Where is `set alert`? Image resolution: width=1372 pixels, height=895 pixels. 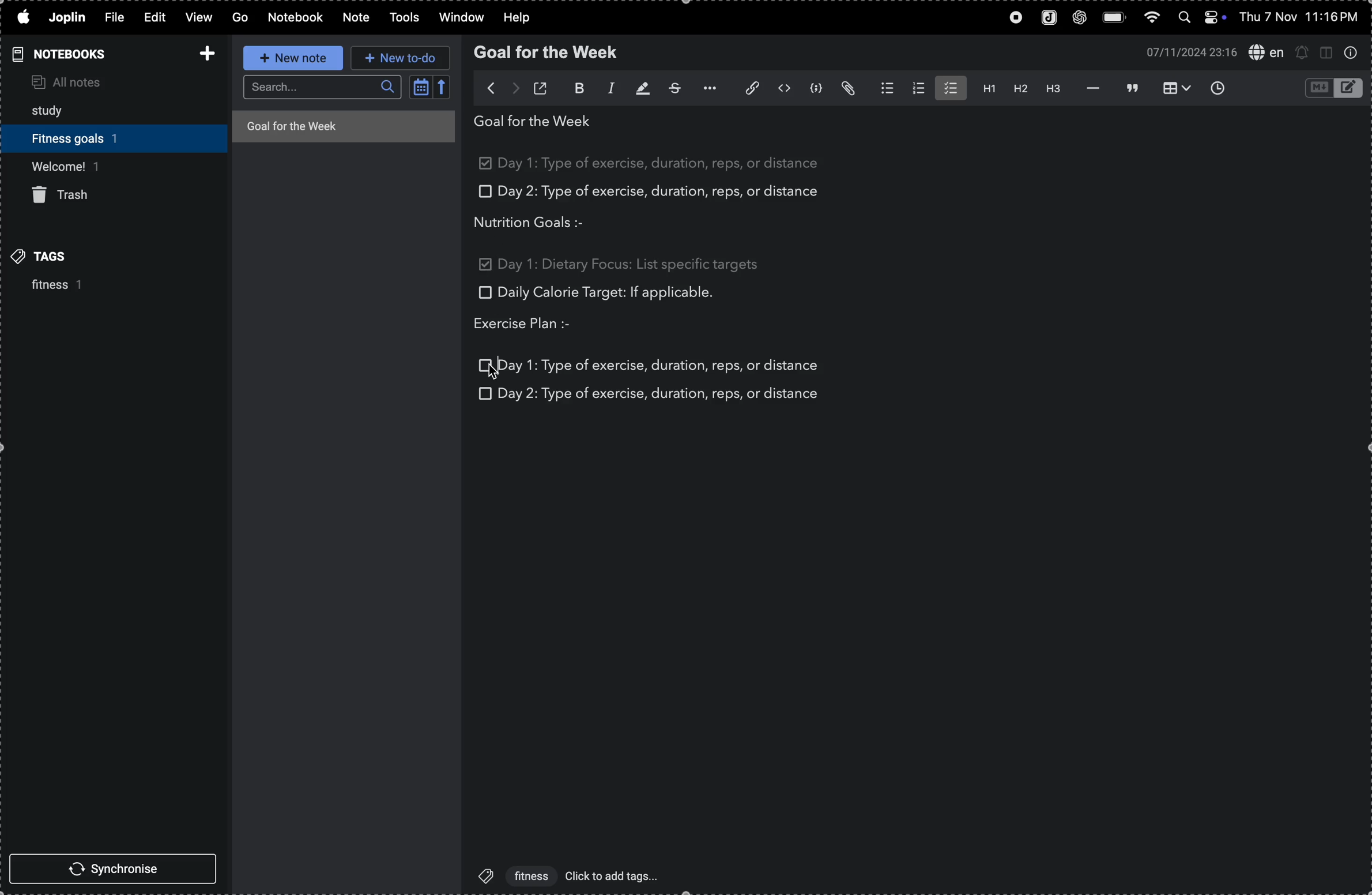 set alert is located at coordinates (1302, 52).